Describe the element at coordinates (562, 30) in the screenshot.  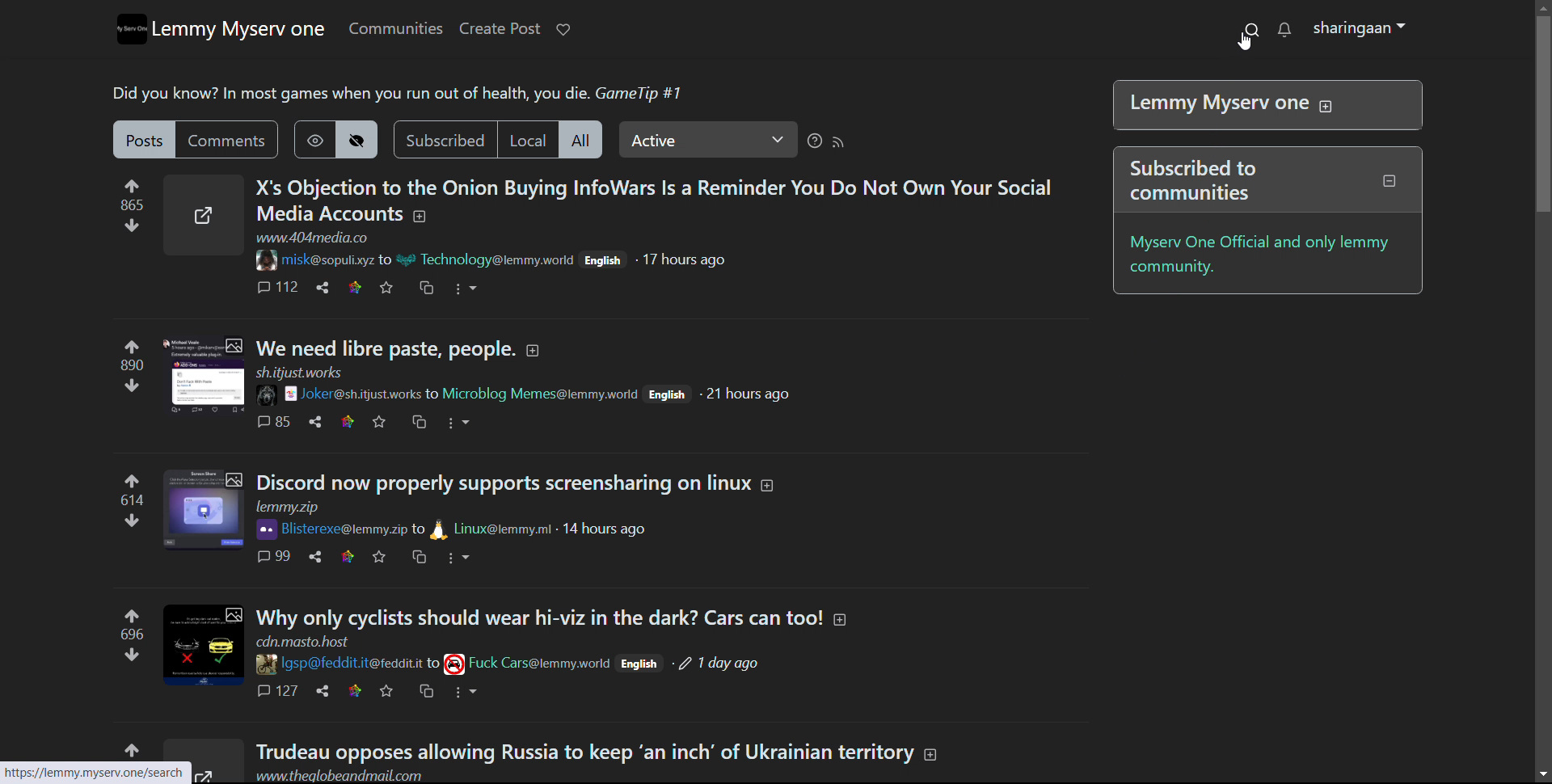
I see `donate to lemmy` at that location.